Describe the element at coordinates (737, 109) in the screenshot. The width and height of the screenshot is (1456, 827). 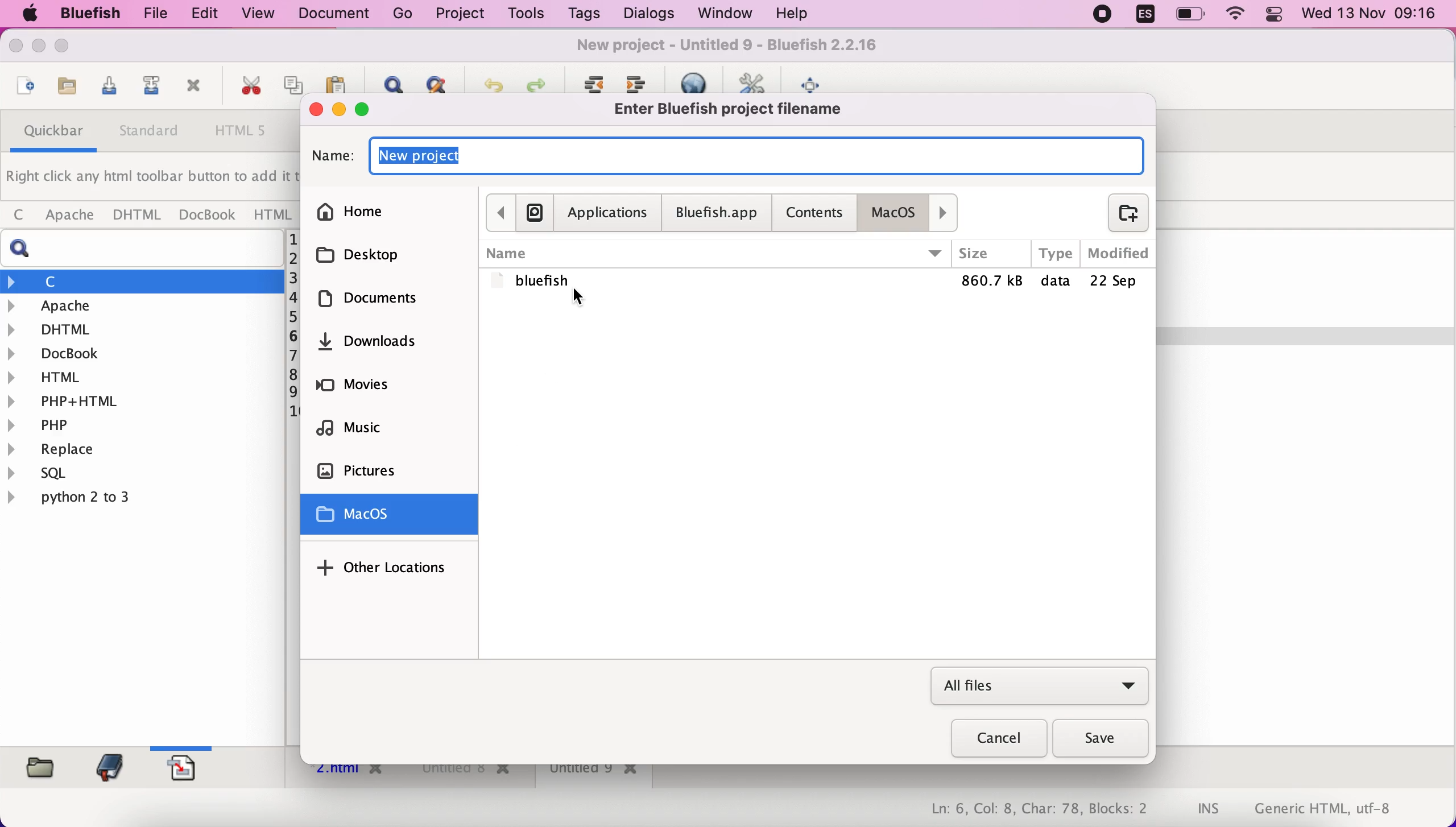
I see `title` at that location.